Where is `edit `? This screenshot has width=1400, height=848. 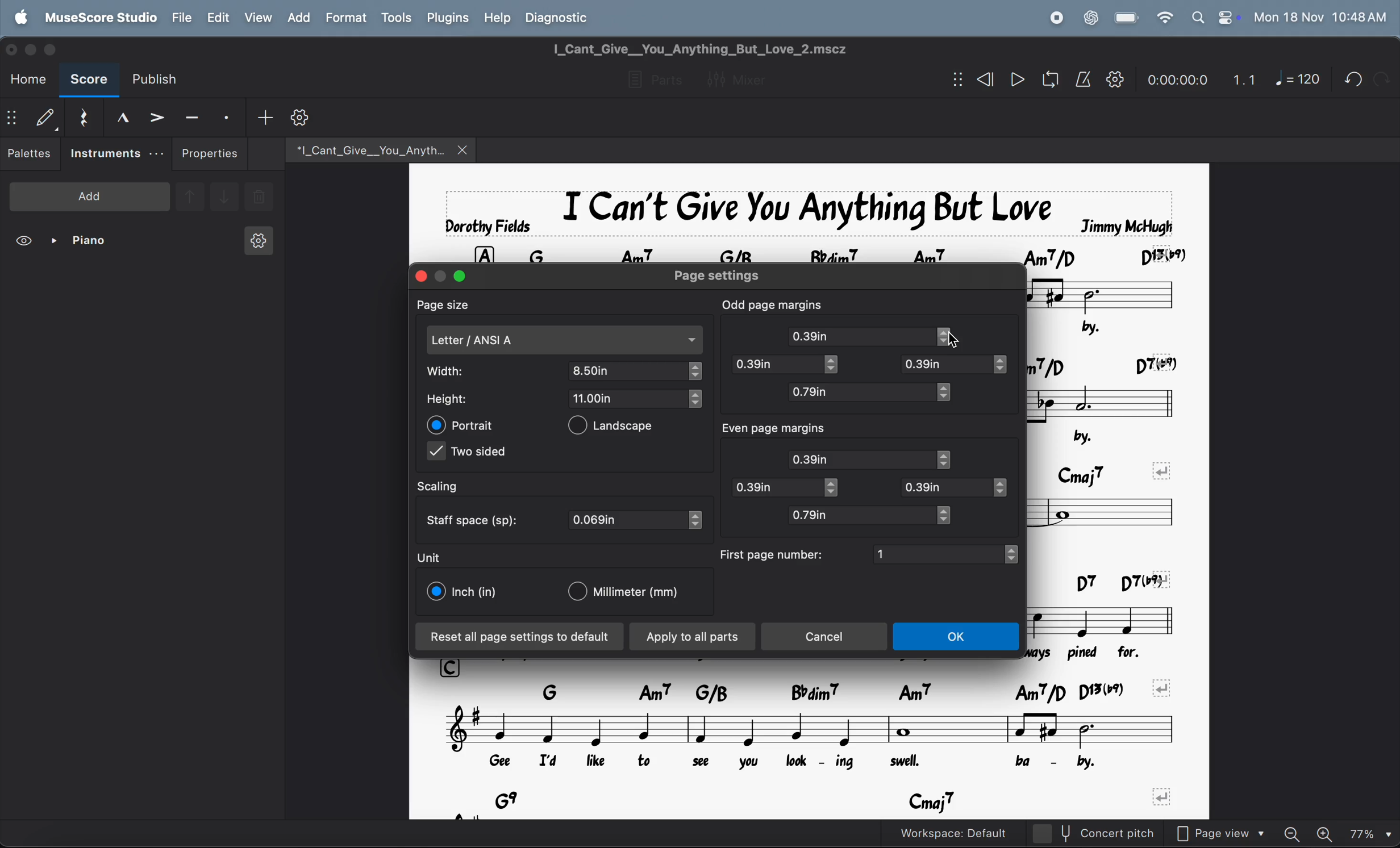
edit  is located at coordinates (217, 18).